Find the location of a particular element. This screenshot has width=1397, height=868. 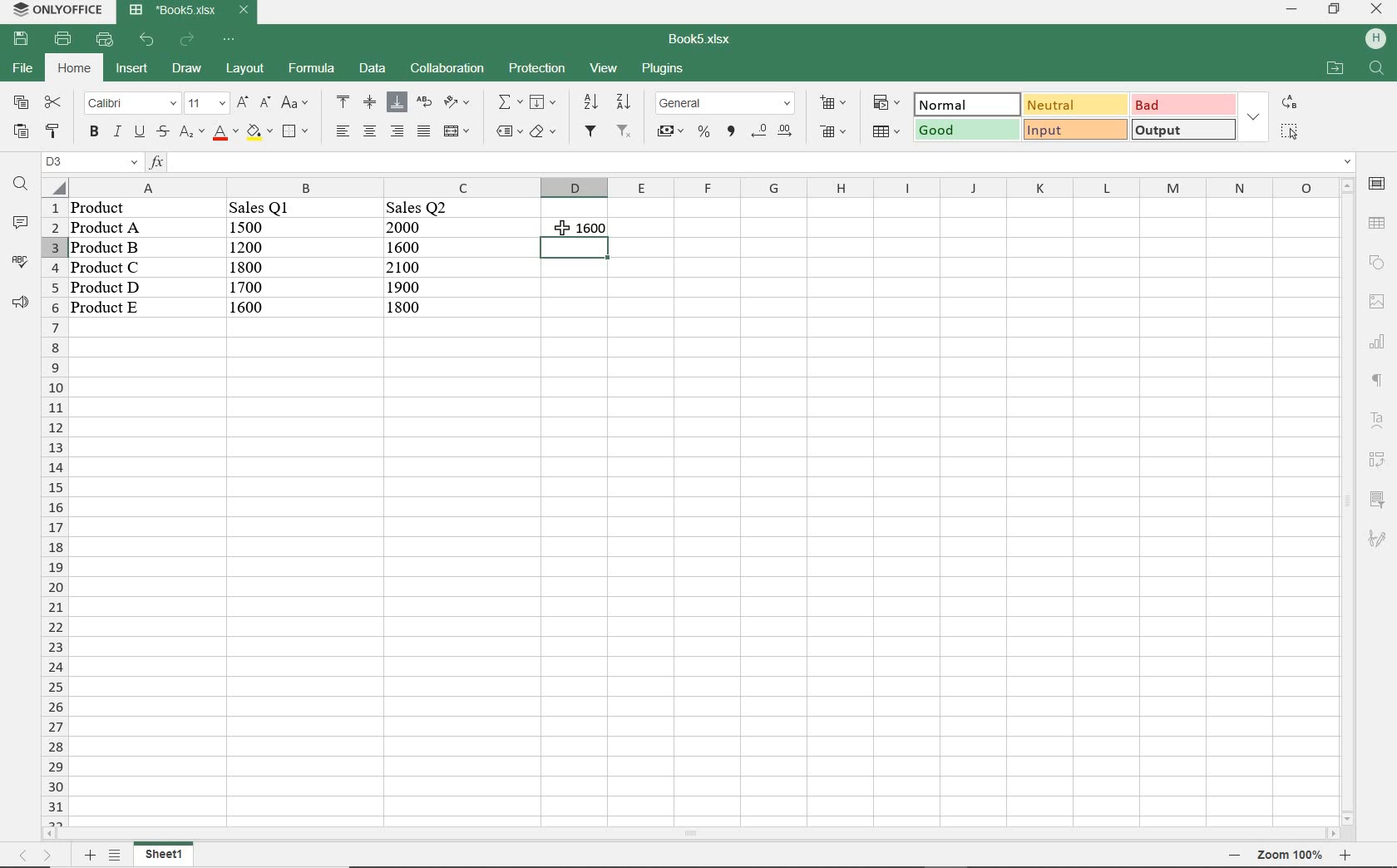

paragraph settings is located at coordinates (1377, 382).